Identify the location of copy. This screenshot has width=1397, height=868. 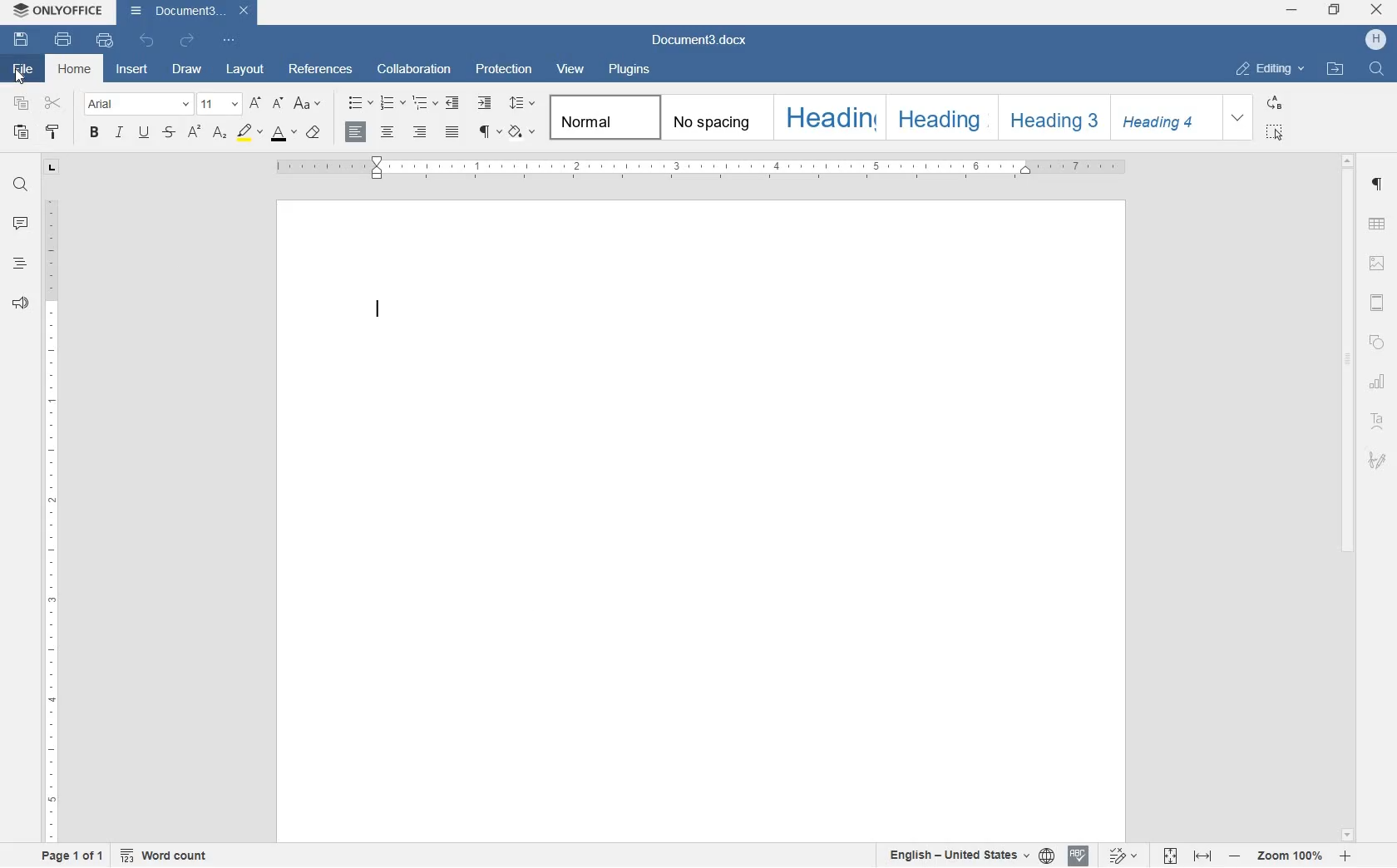
(21, 103).